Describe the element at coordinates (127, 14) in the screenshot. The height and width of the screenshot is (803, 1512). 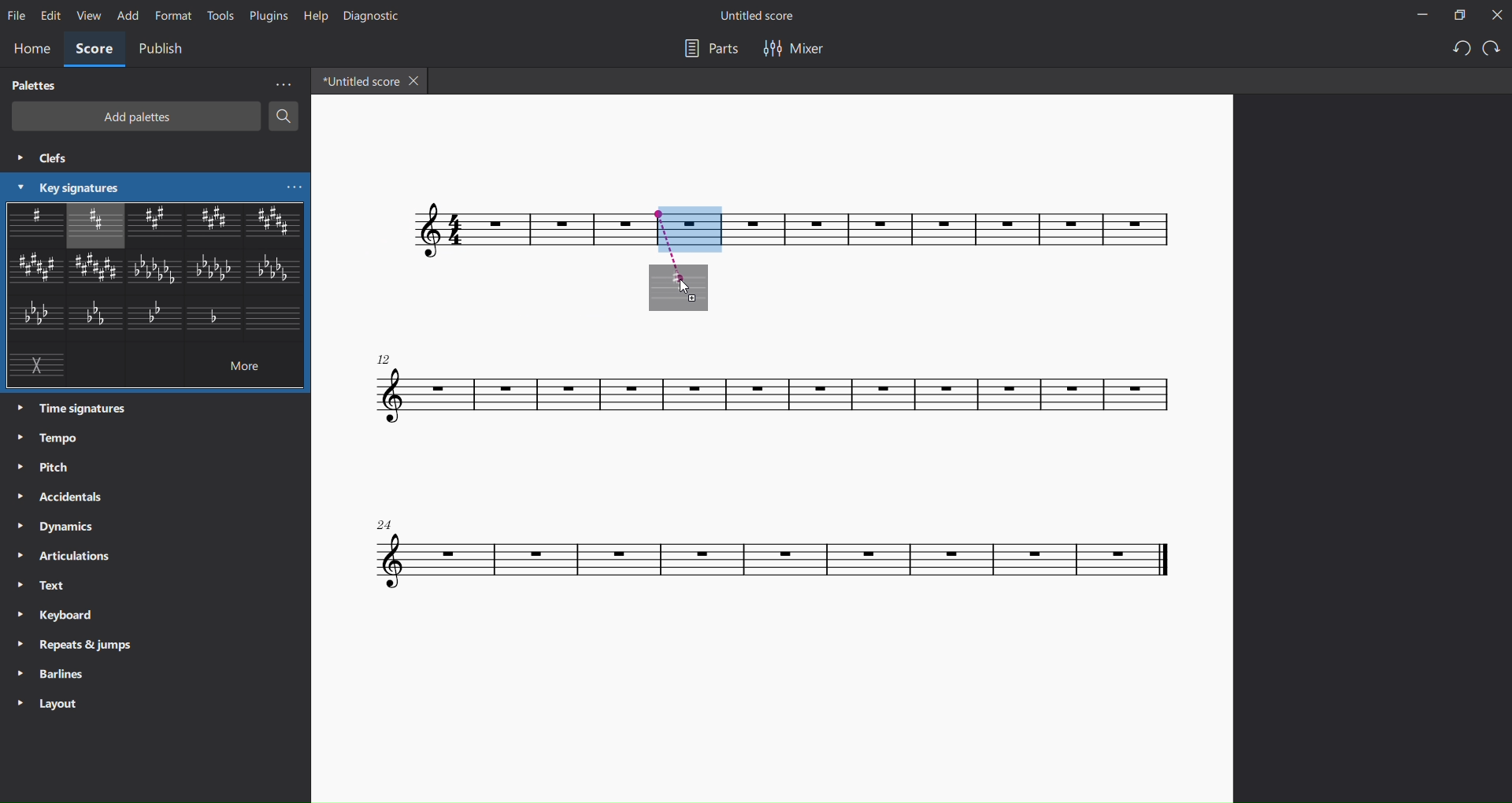
I see `add` at that location.